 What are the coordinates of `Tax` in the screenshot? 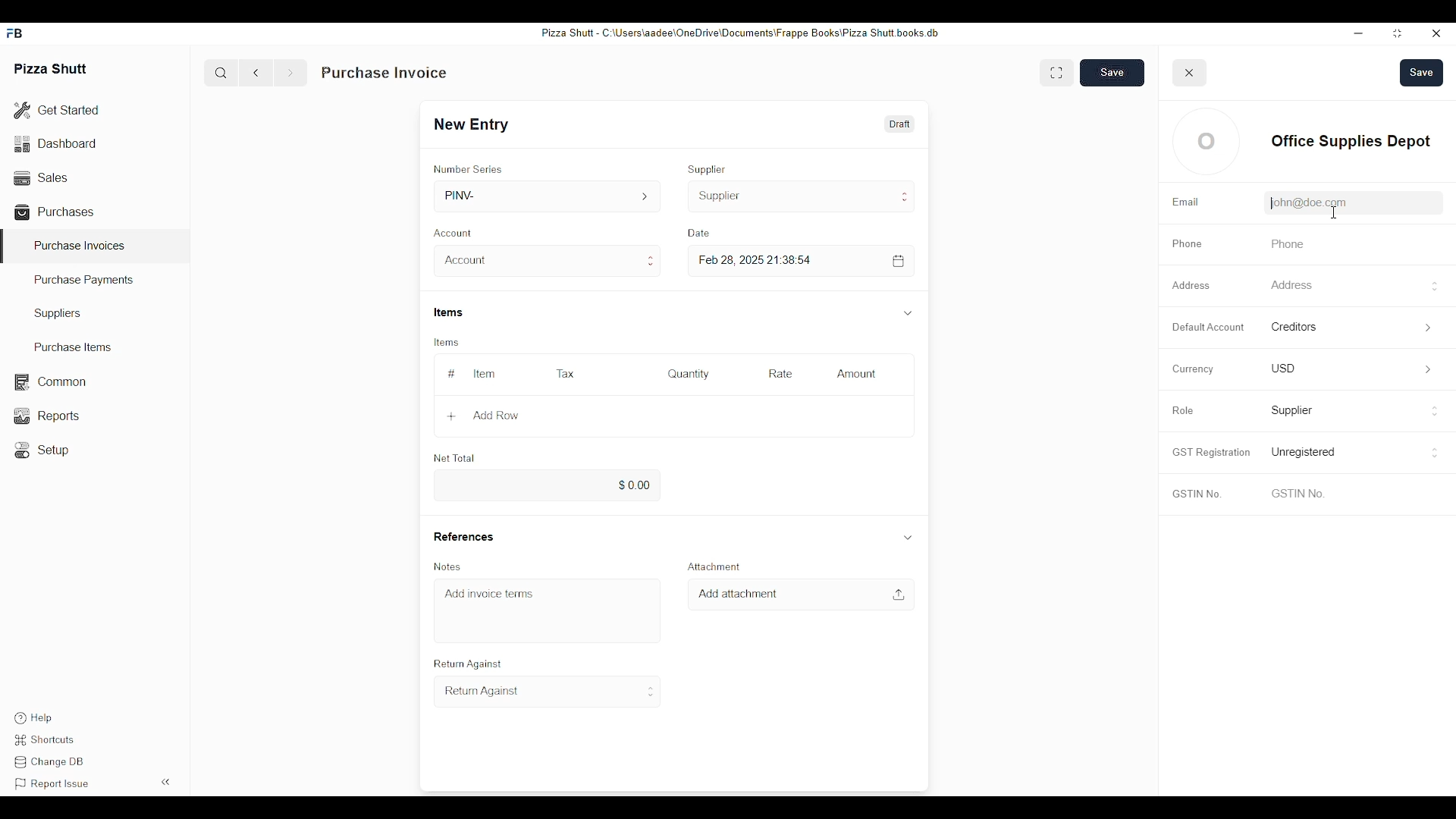 It's located at (564, 373).